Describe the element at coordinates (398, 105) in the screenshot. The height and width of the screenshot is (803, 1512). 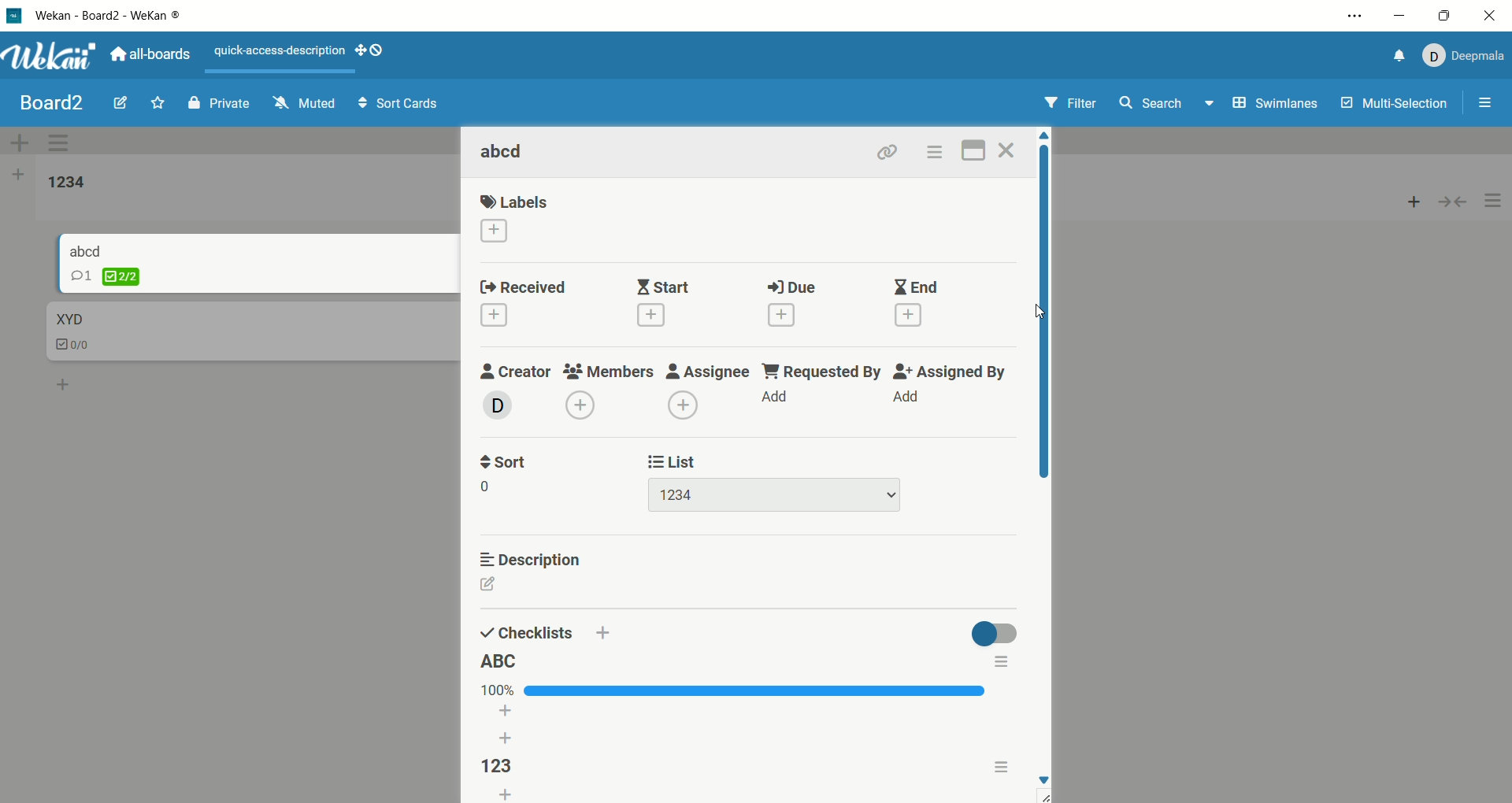
I see `sort cards` at that location.